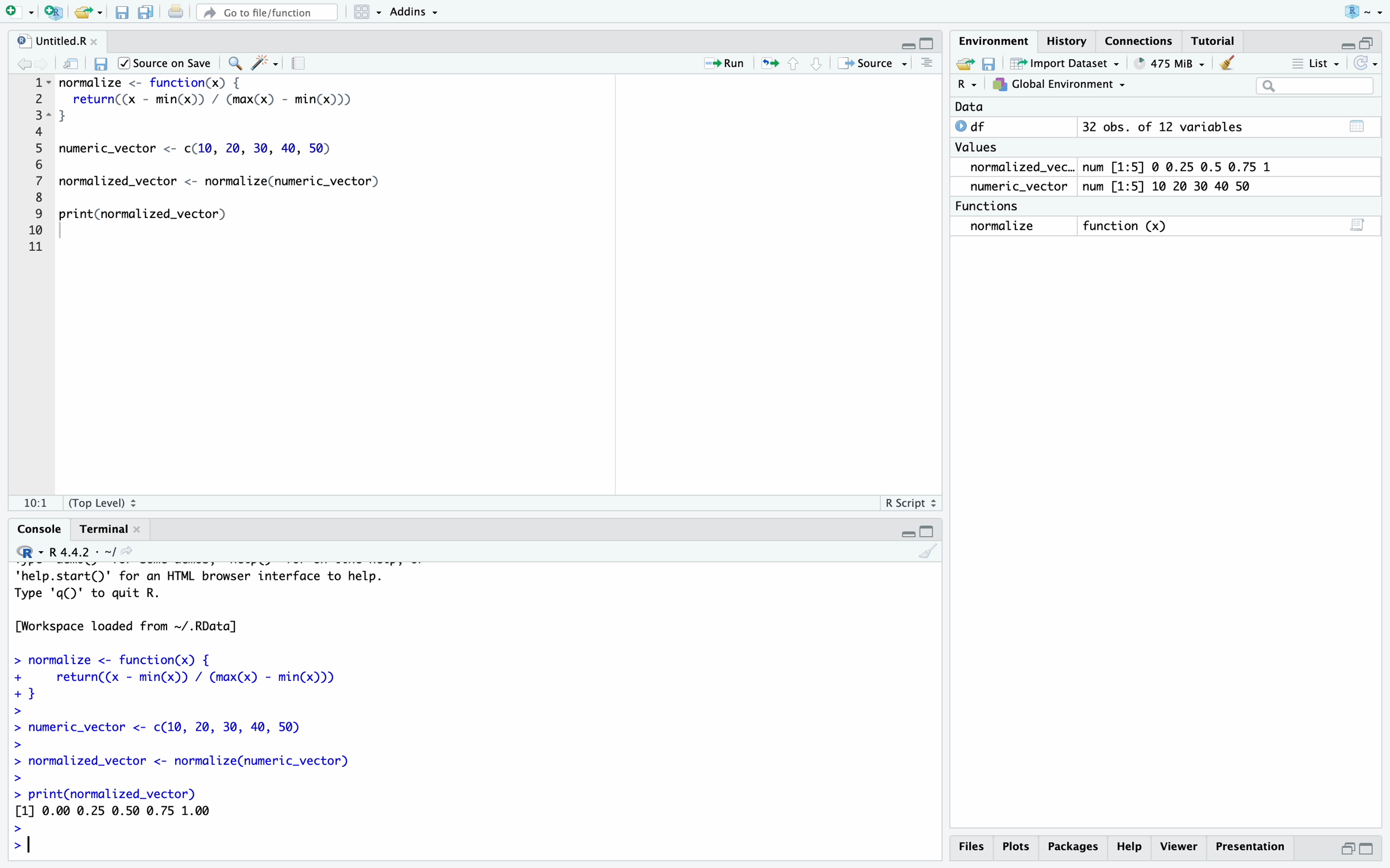 This screenshot has height=868, width=1390. Describe the element at coordinates (1358, 227) in the screenshot. I see `Data/Table` at that location.